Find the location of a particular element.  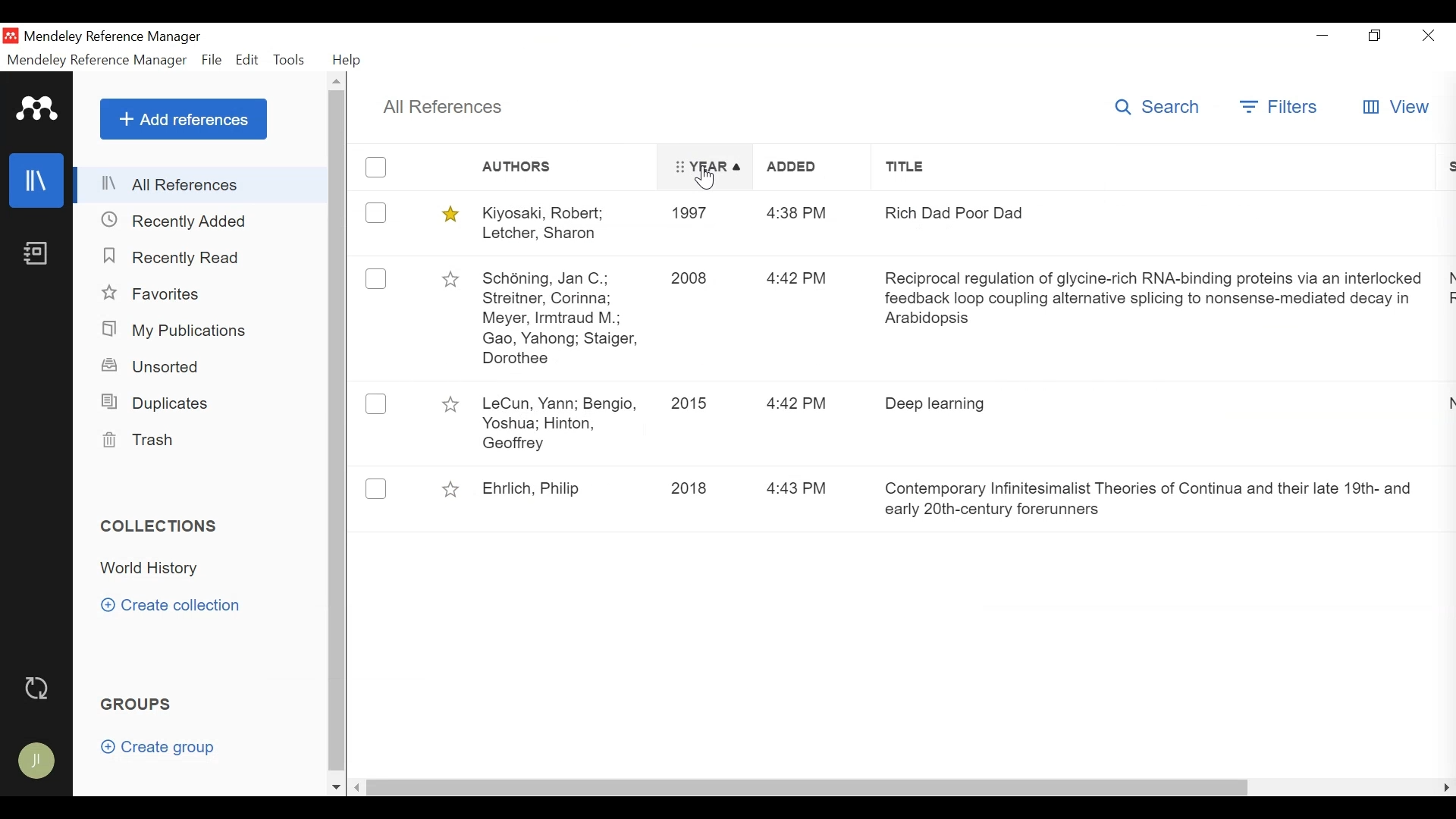

(un)Select Favorites is located at coordinates (450, 489).